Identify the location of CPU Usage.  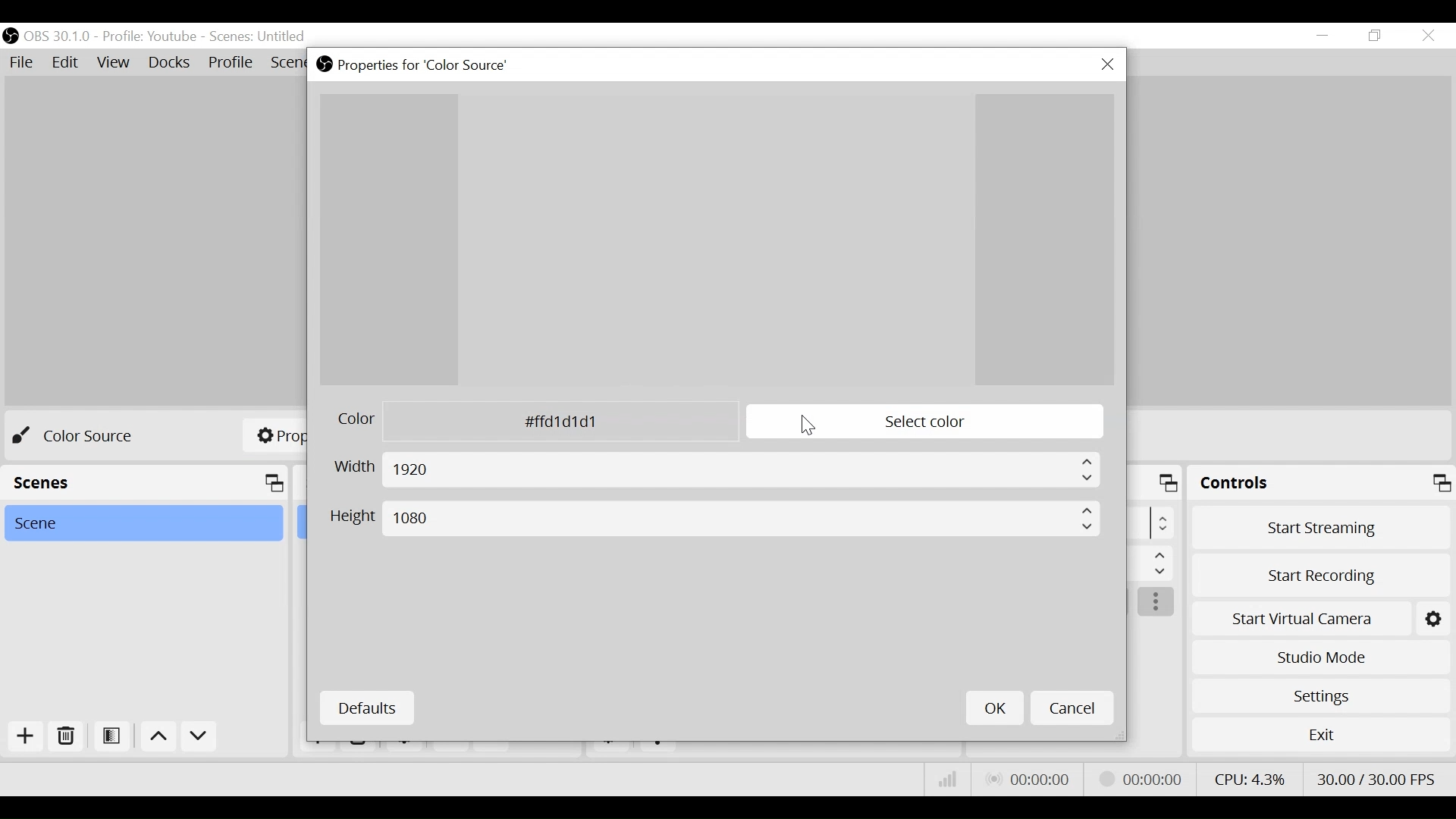
(1250, 779).